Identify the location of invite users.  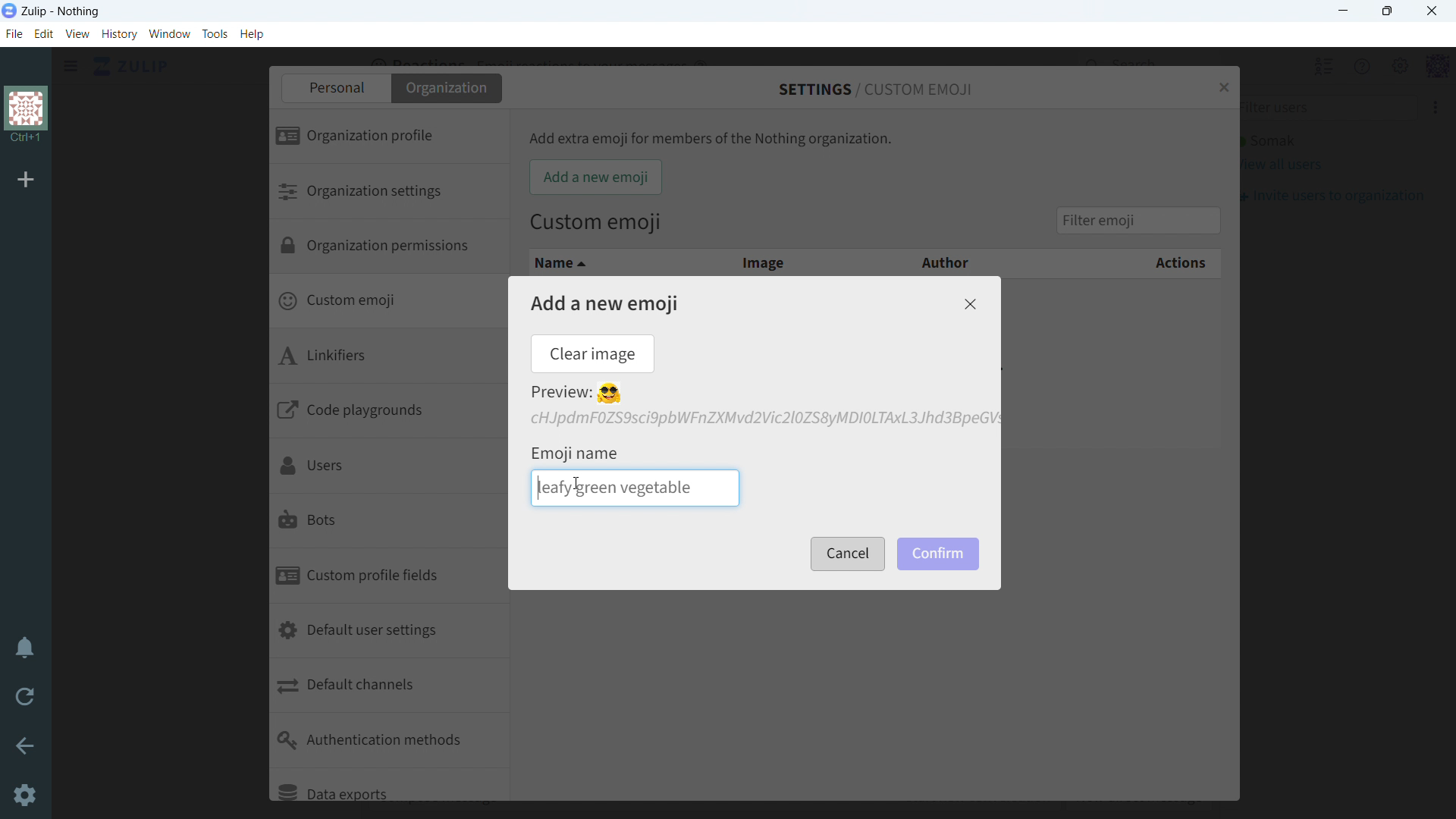
(1330, 196).